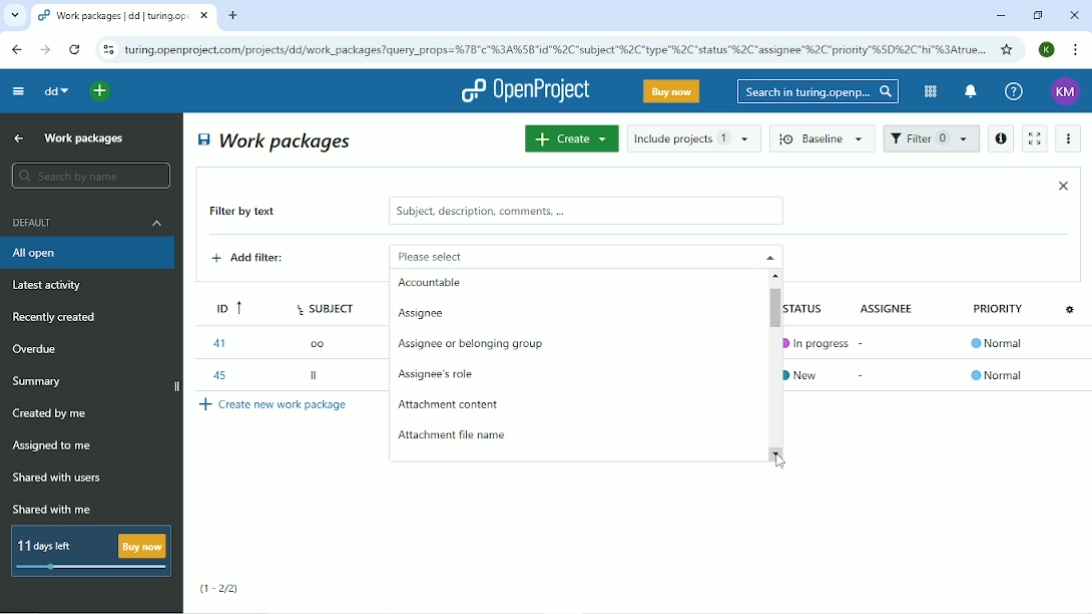 This screenshot has width=1092, height=614. I want to click on Add filter, so click(263, 260).